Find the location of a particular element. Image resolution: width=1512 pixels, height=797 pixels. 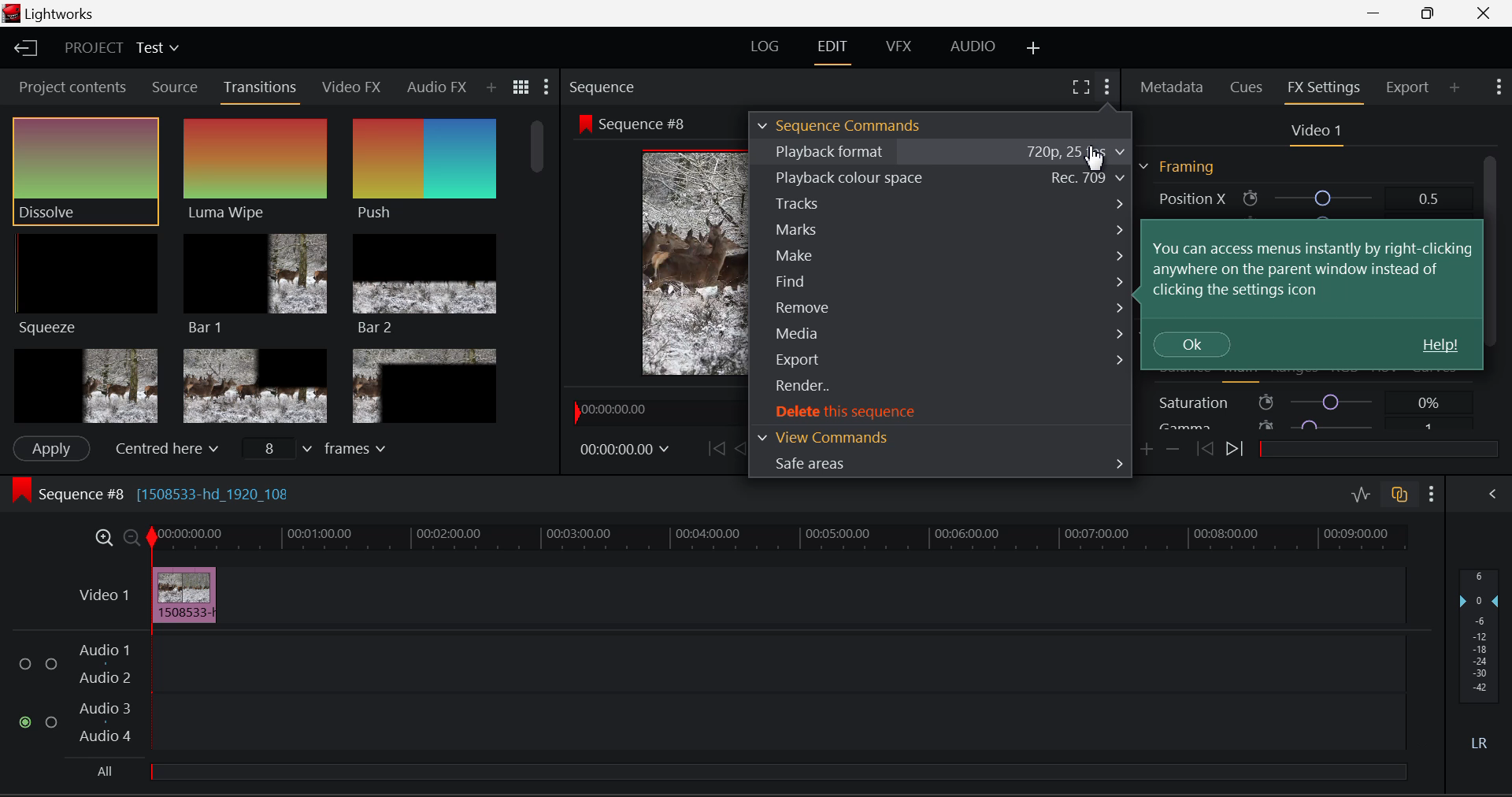

Add keyframe is located at coordinates (1145, 450).